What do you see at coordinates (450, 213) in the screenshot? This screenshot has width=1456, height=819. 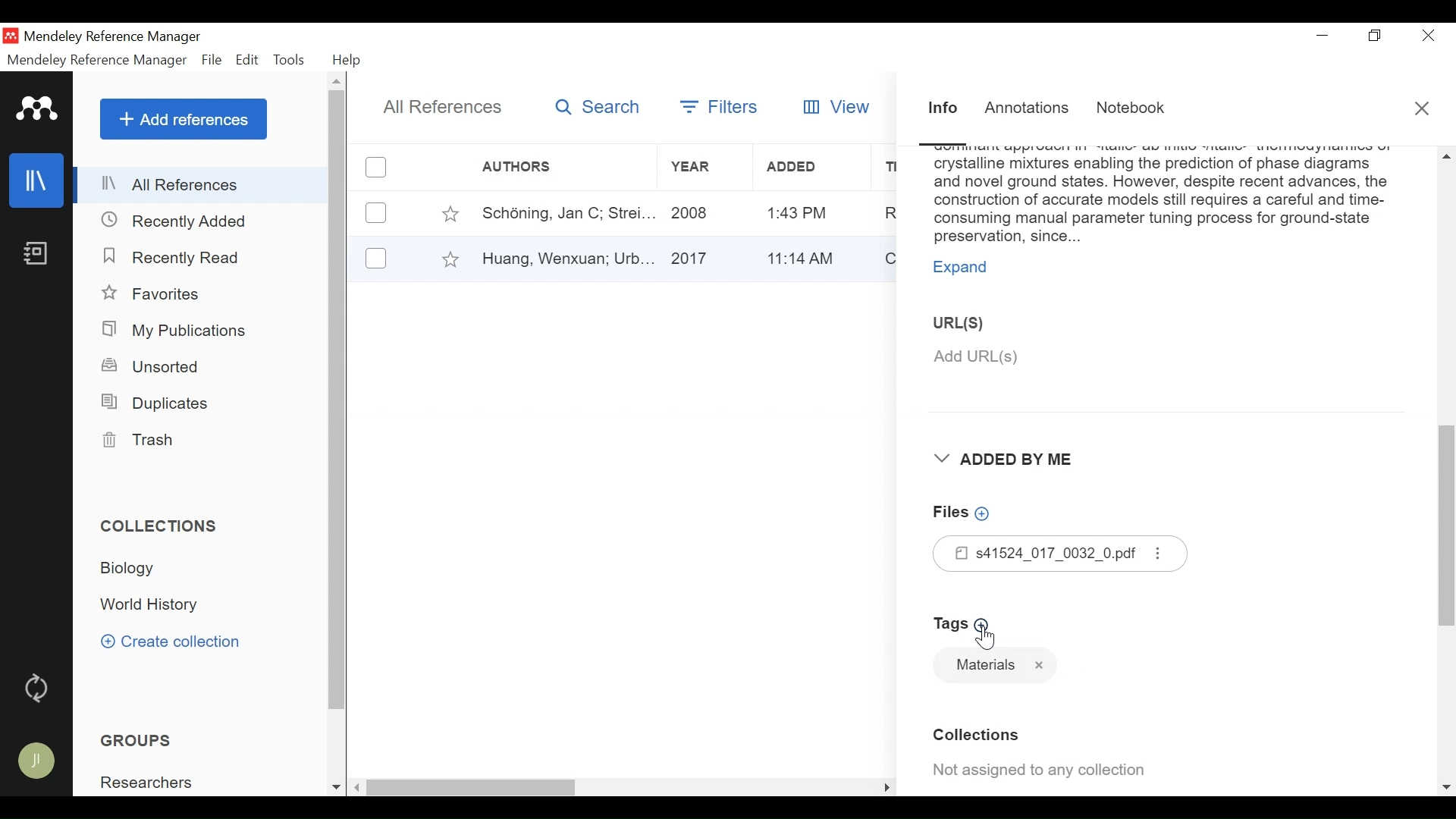 I see `Toggle Favorite` at bounding box center [450, 213].